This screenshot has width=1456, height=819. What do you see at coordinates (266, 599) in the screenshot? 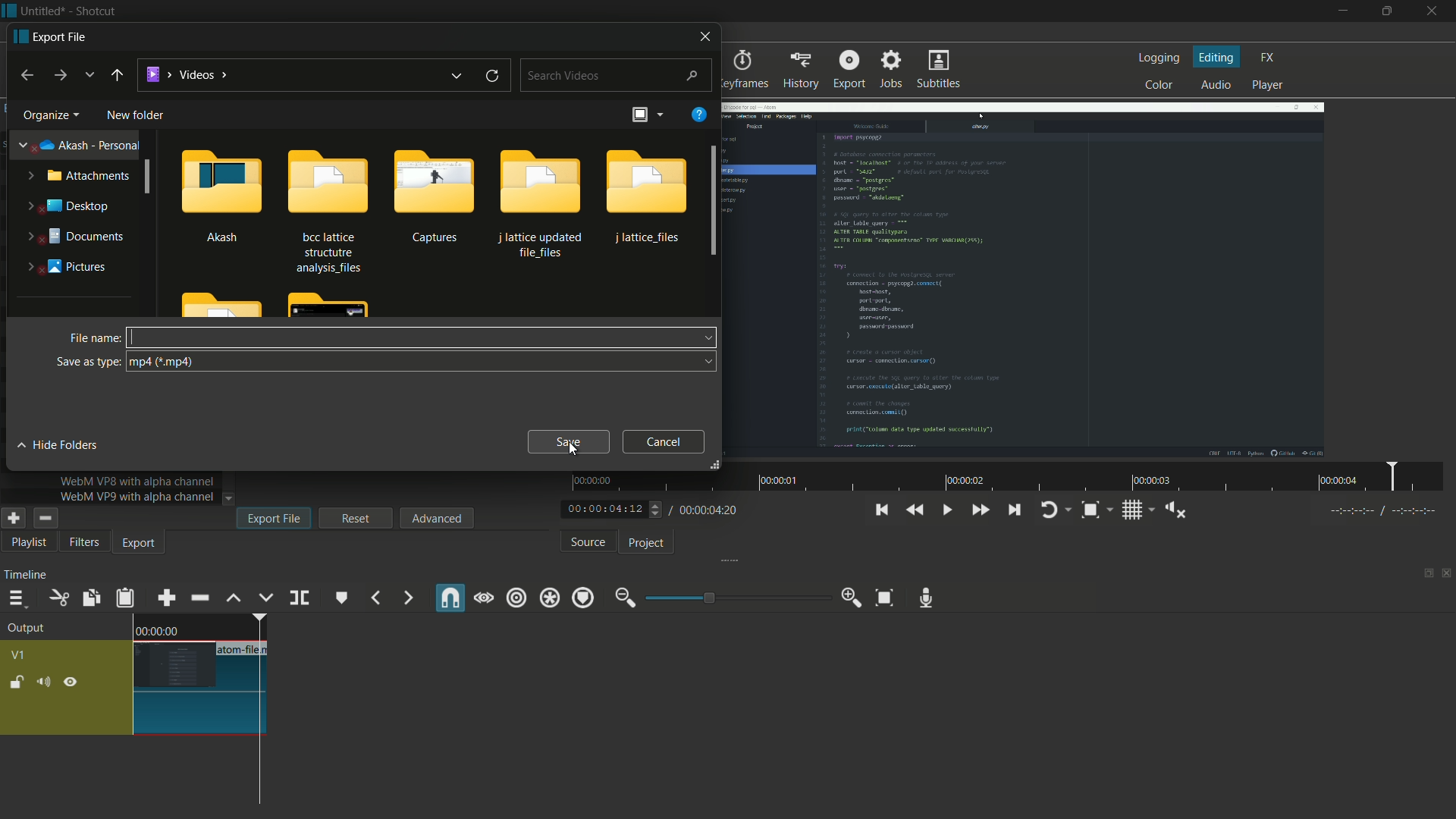
I see `overwrite` at bounding box center [266, 599].